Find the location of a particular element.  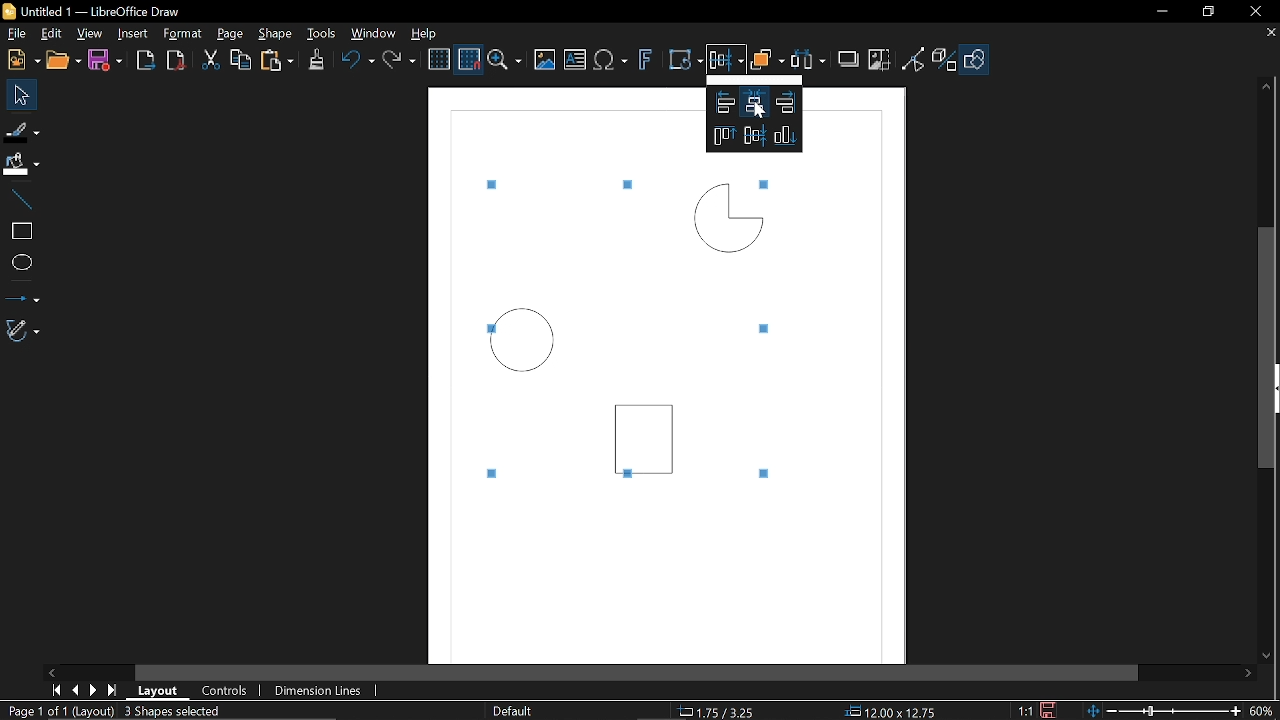

insert equation is located at coordinates (613, 62).